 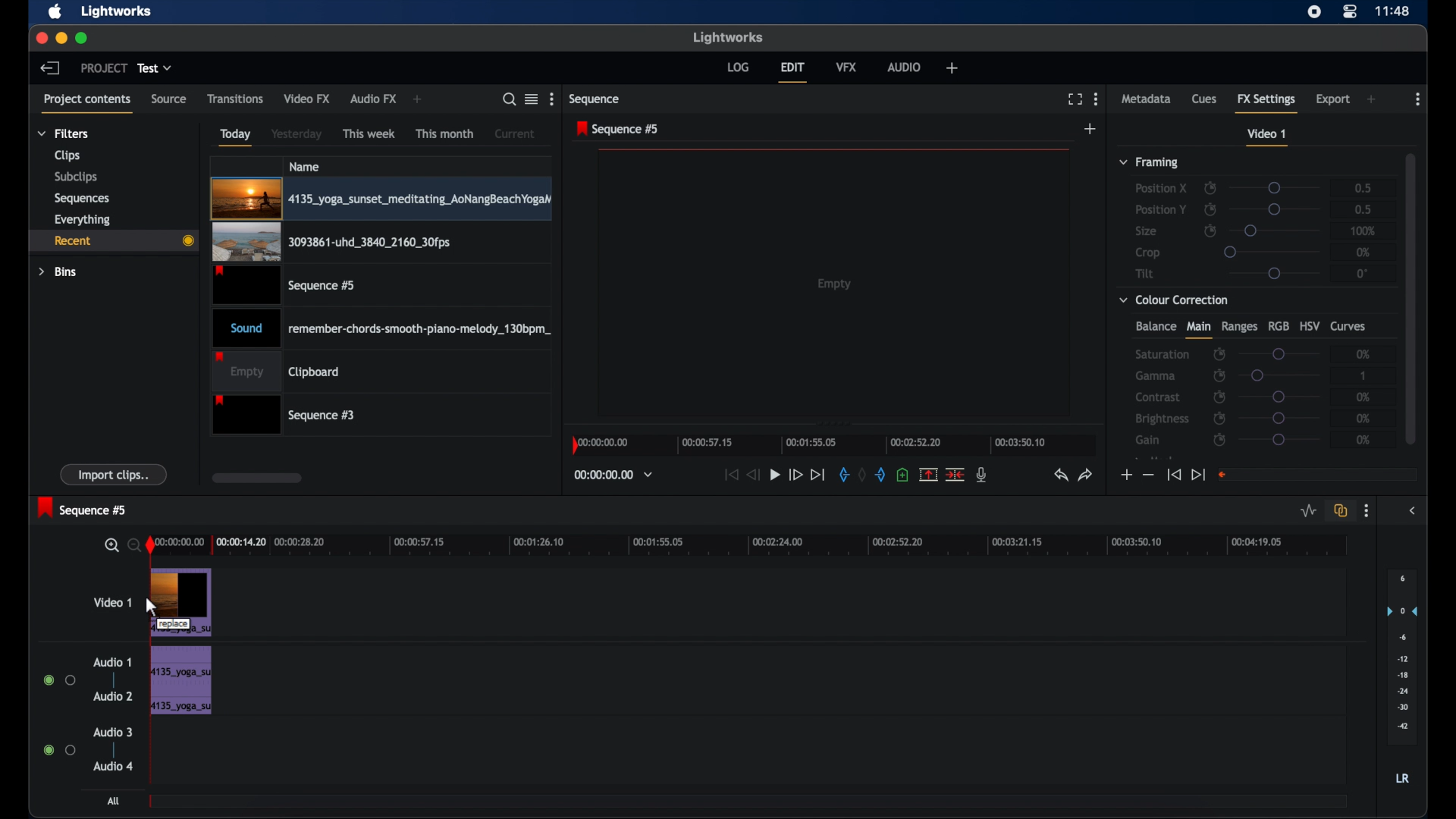 What do you see at coordinates (1278, 209) in the screenshot?
I see `slider` at bounding box center [1278, 209].